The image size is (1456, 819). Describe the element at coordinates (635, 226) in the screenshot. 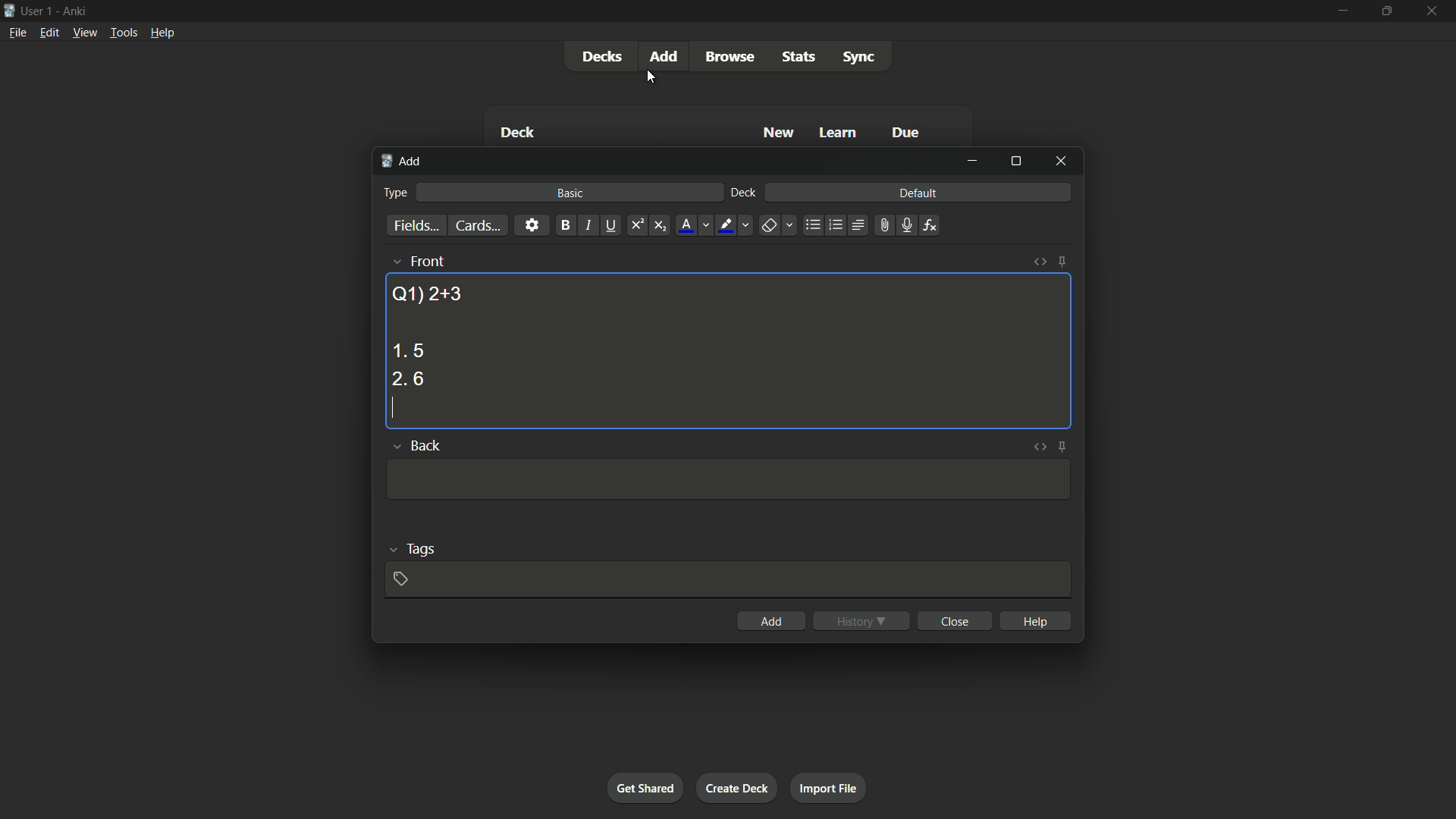

I see `supercript` at that location.